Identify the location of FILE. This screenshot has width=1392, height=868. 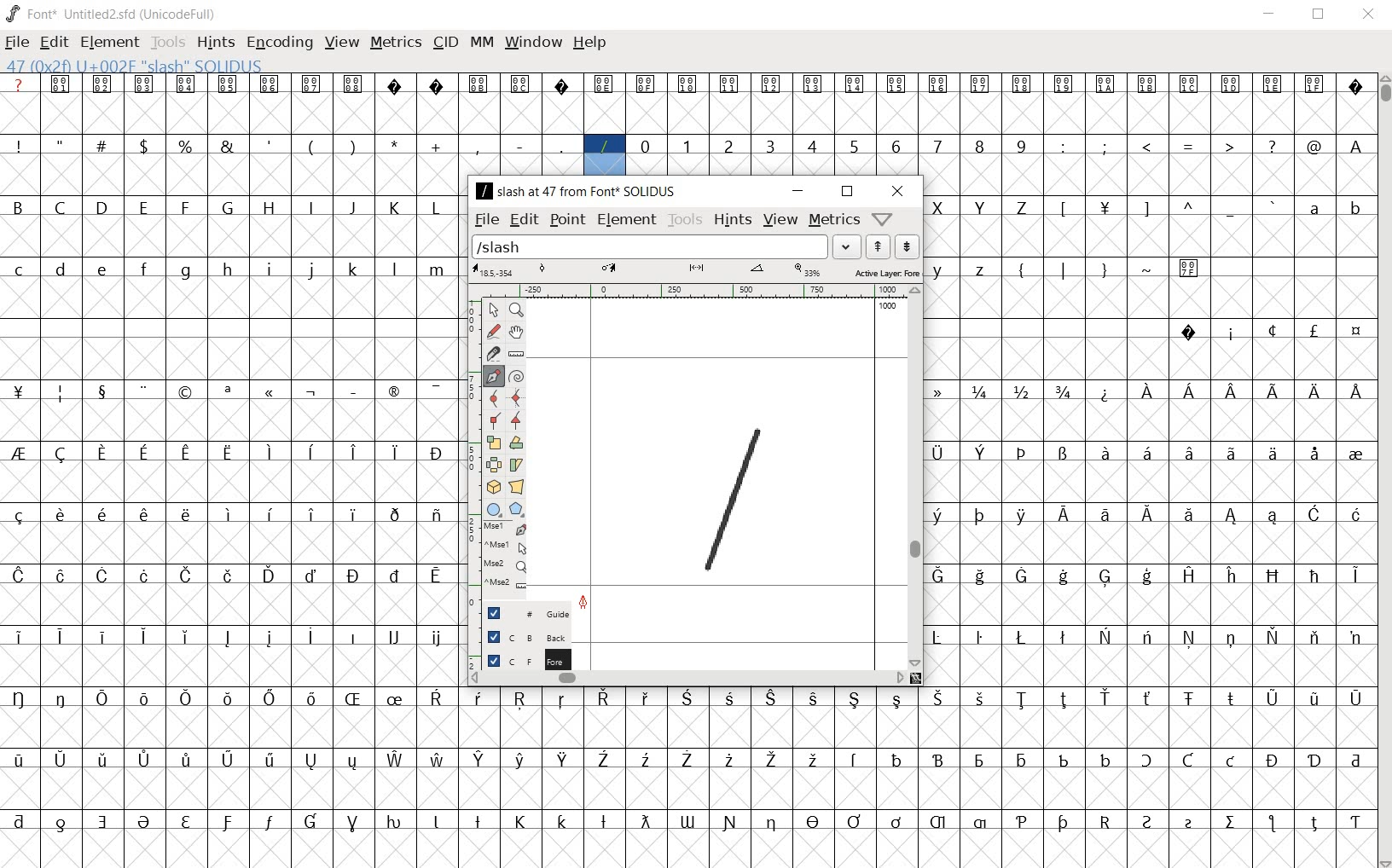
(19, 43).